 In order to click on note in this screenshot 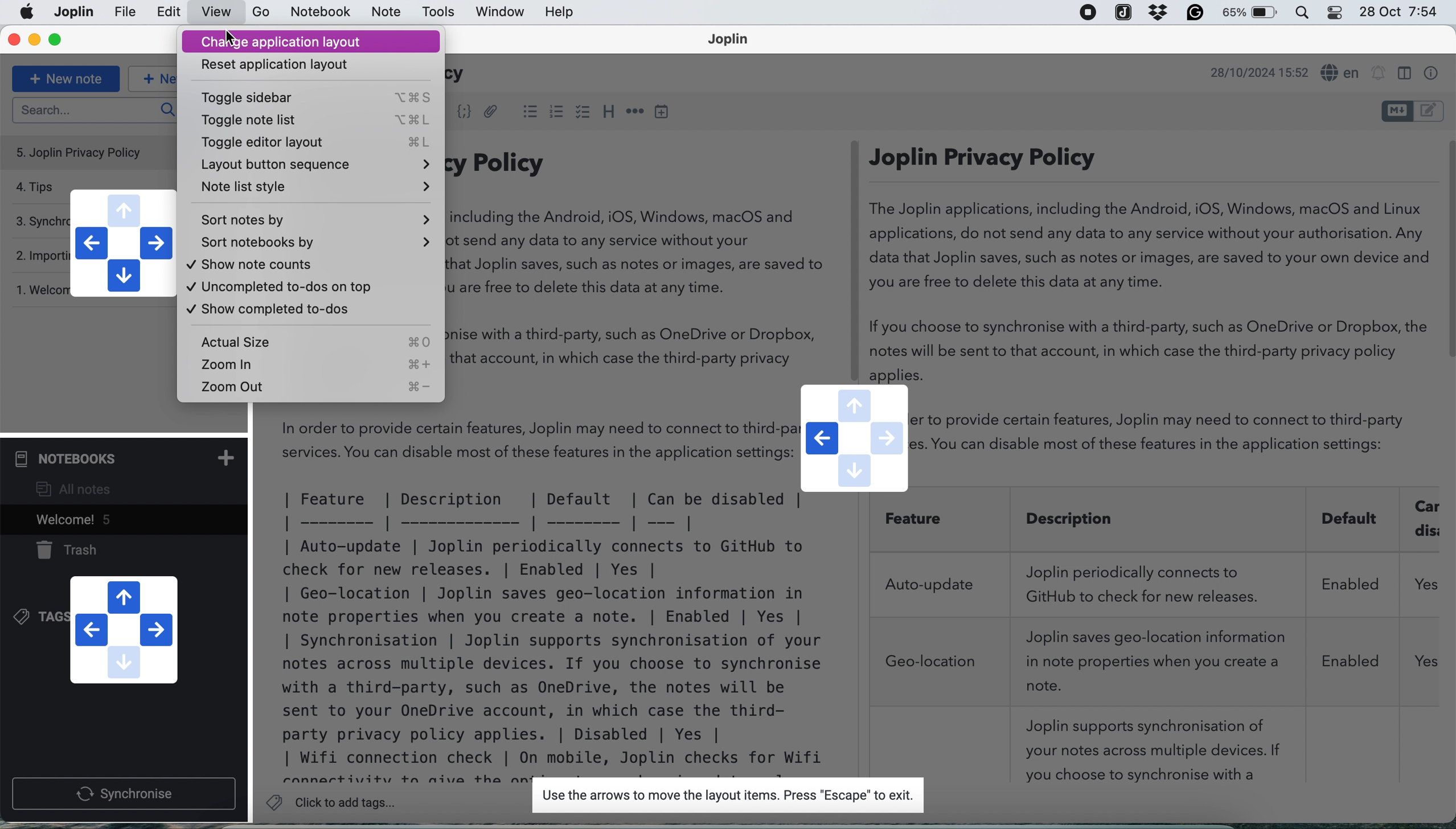, I will do `click(384, 13)`.